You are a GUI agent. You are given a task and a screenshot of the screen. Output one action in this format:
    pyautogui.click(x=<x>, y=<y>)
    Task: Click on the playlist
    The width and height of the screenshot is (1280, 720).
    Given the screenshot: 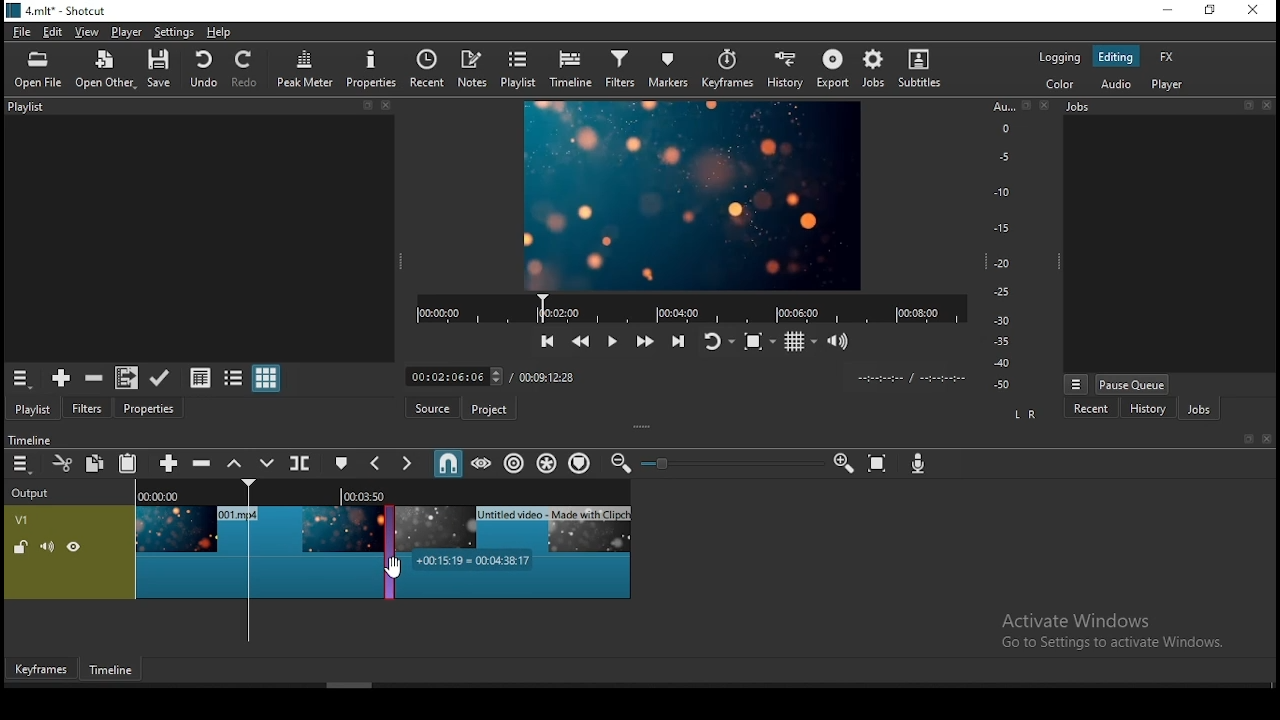 What is the action you would take?
    pyautogui.click(x=196, y=109)
    